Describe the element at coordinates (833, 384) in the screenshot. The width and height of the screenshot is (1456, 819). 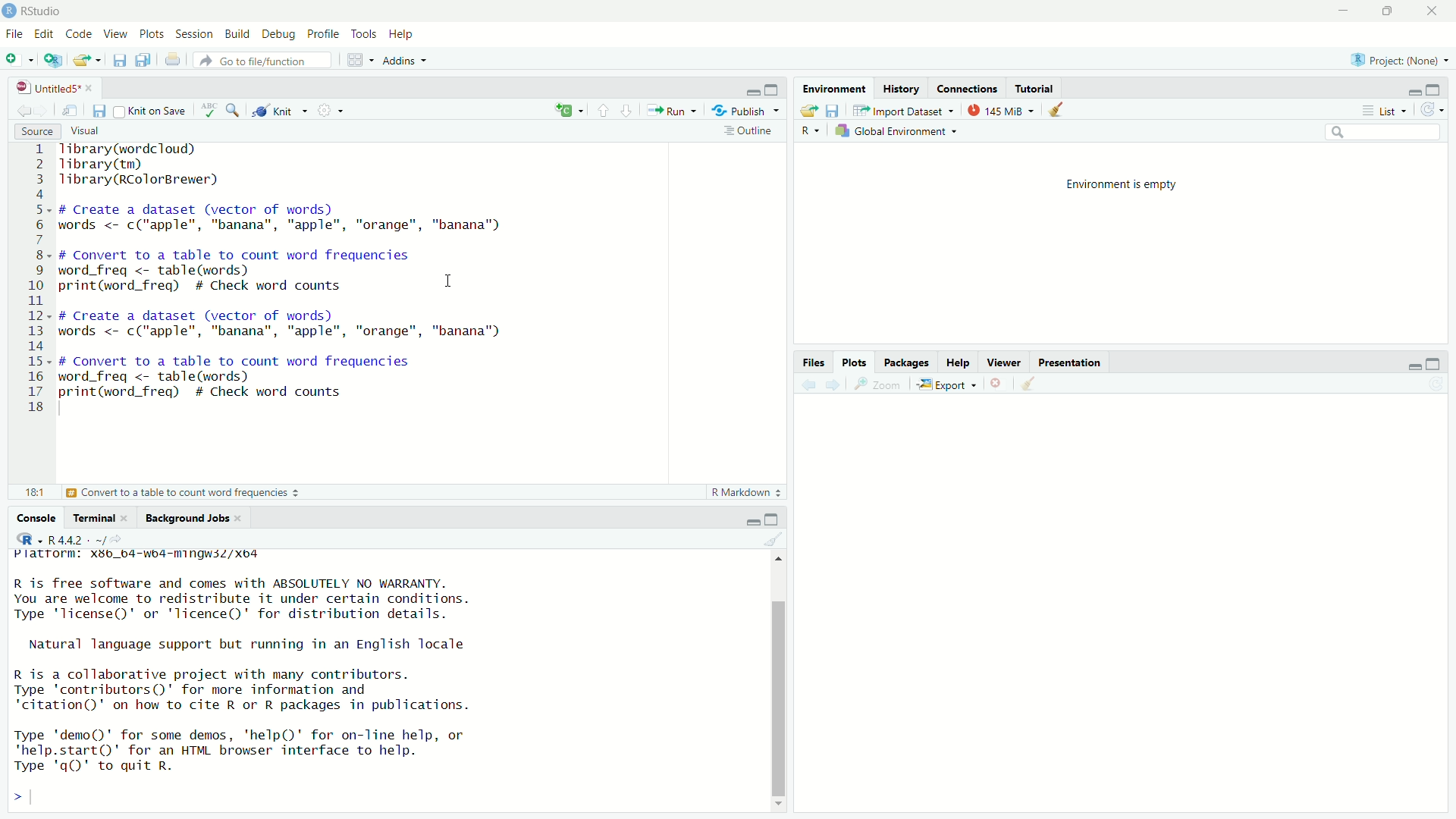
I see `next` at that location.